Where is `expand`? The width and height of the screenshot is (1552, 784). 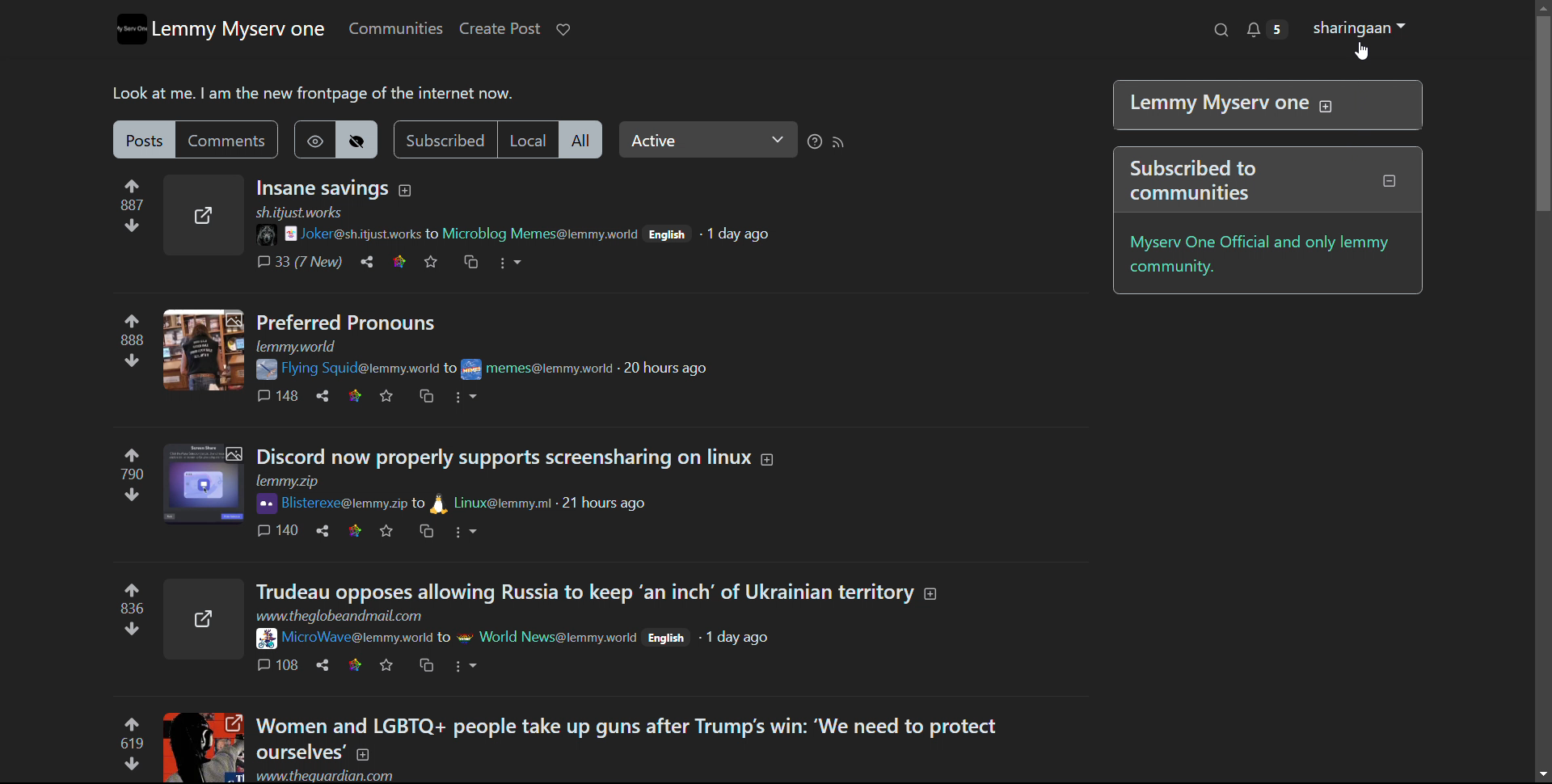 expand is located at coordinates (1326, 107).